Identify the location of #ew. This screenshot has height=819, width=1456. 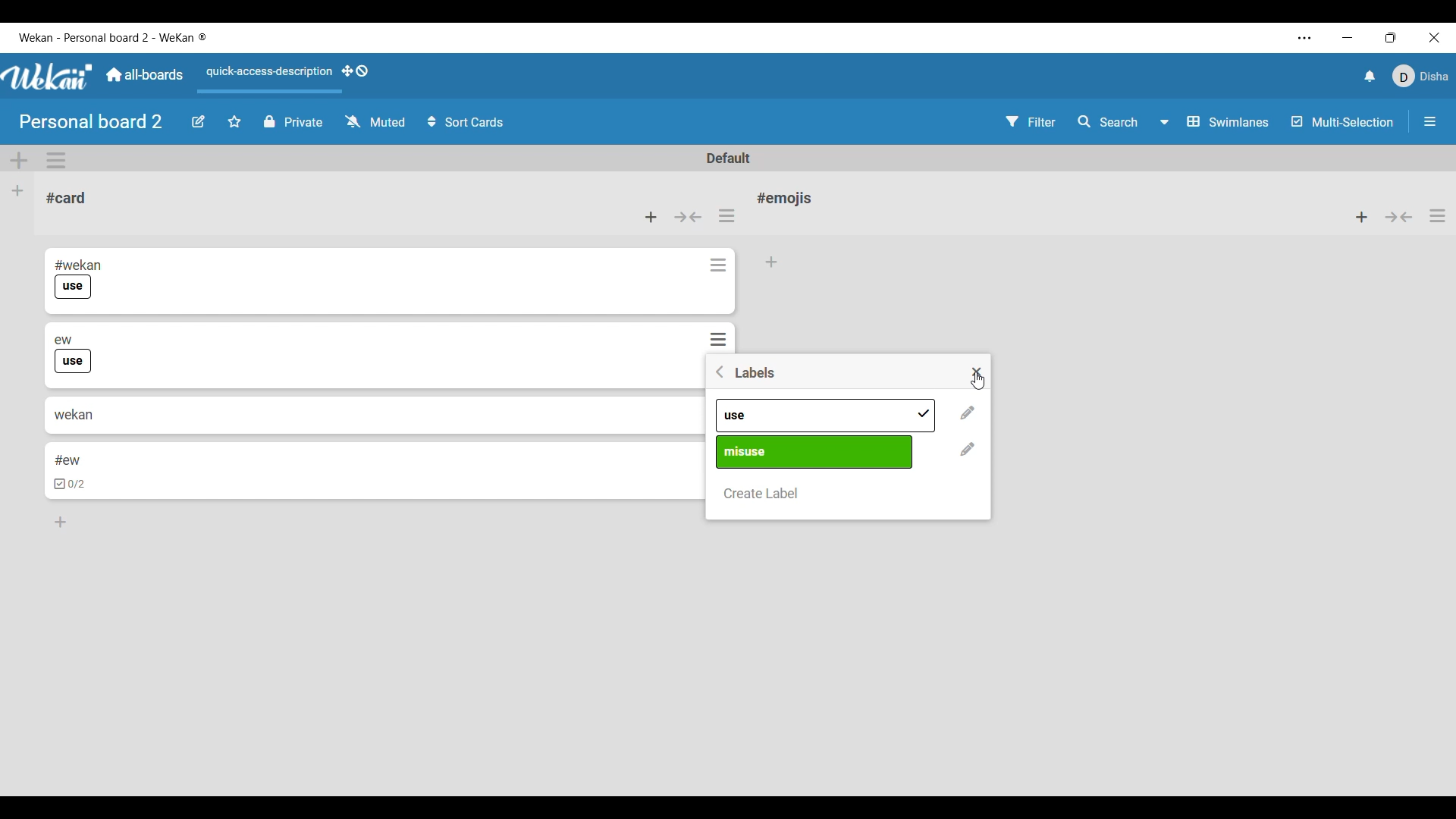
(68, 460).